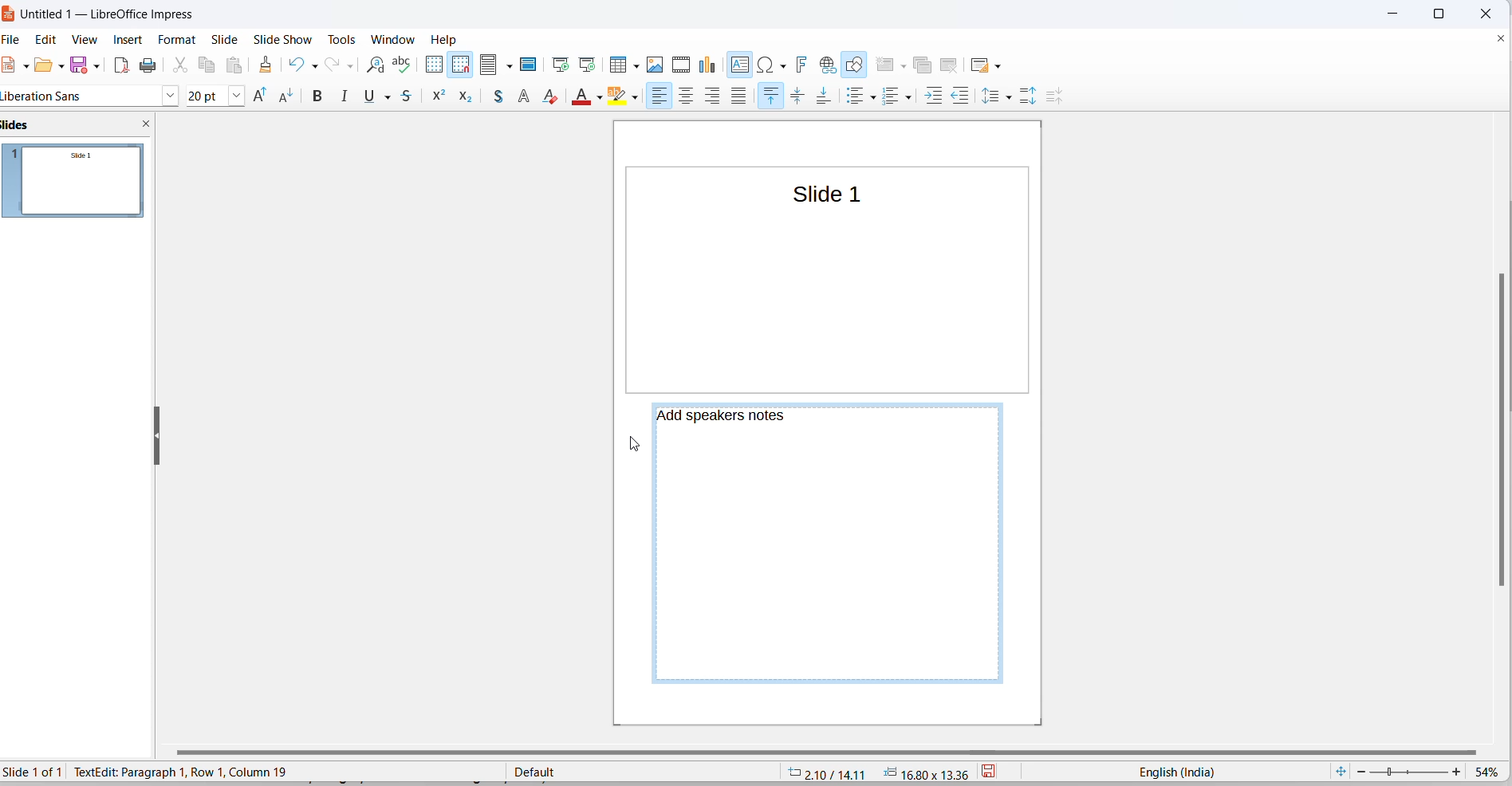 This screenshot has width=1512, height=786. I want to click on line and arrows options, so click(249, 98).